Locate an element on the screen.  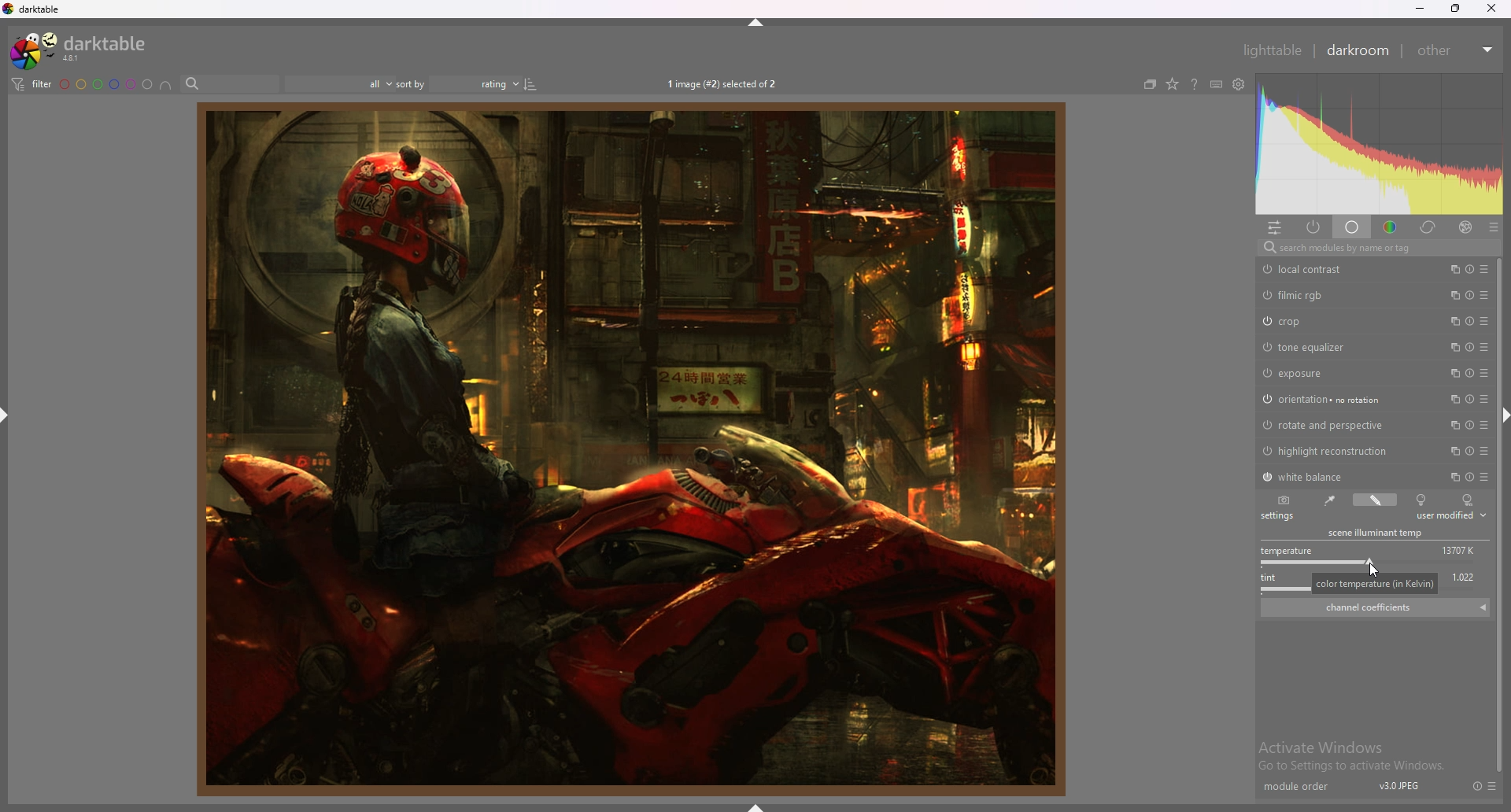
reset is located at coordinates (1472, 451).